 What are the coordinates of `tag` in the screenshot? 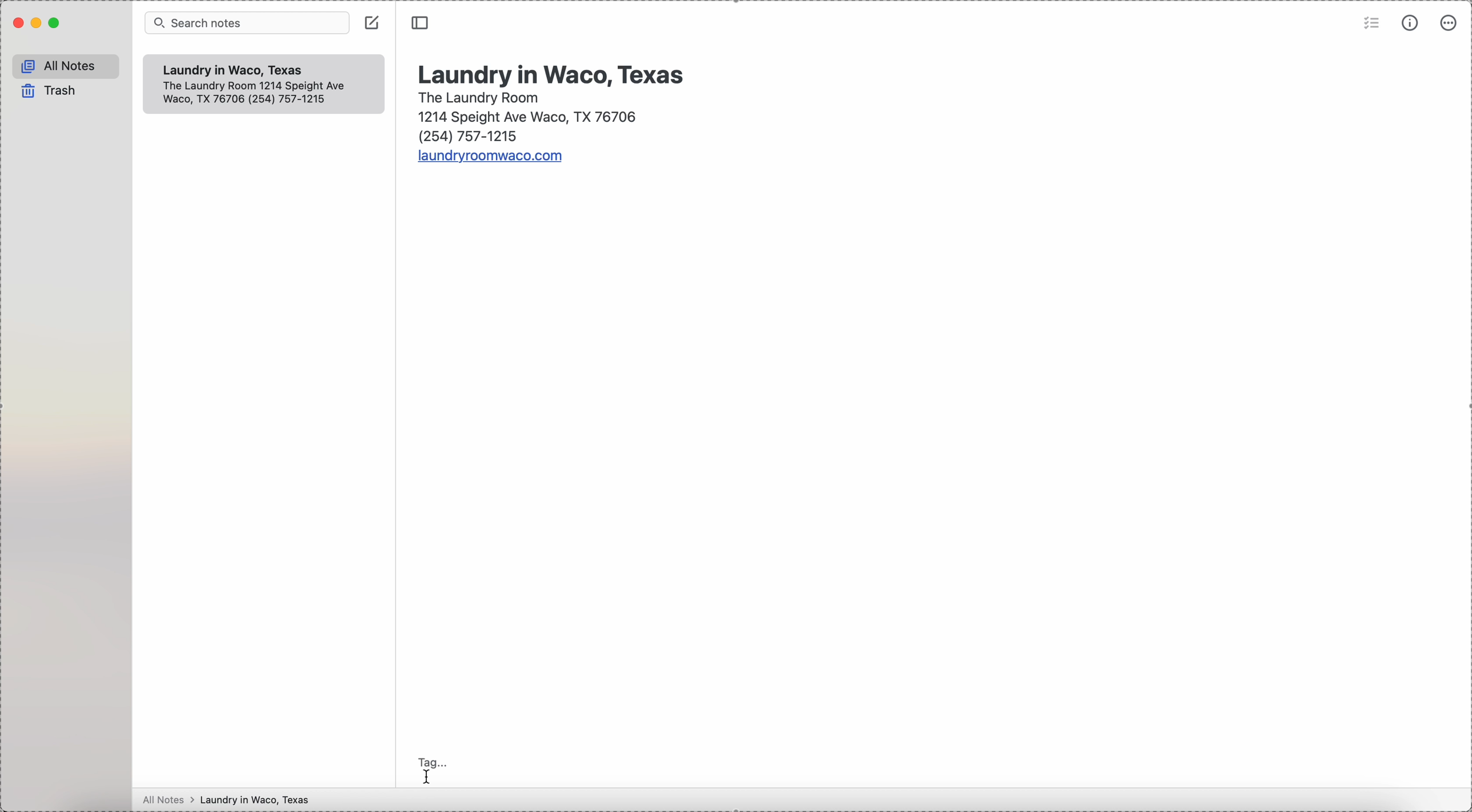 It's located at (433, 758).